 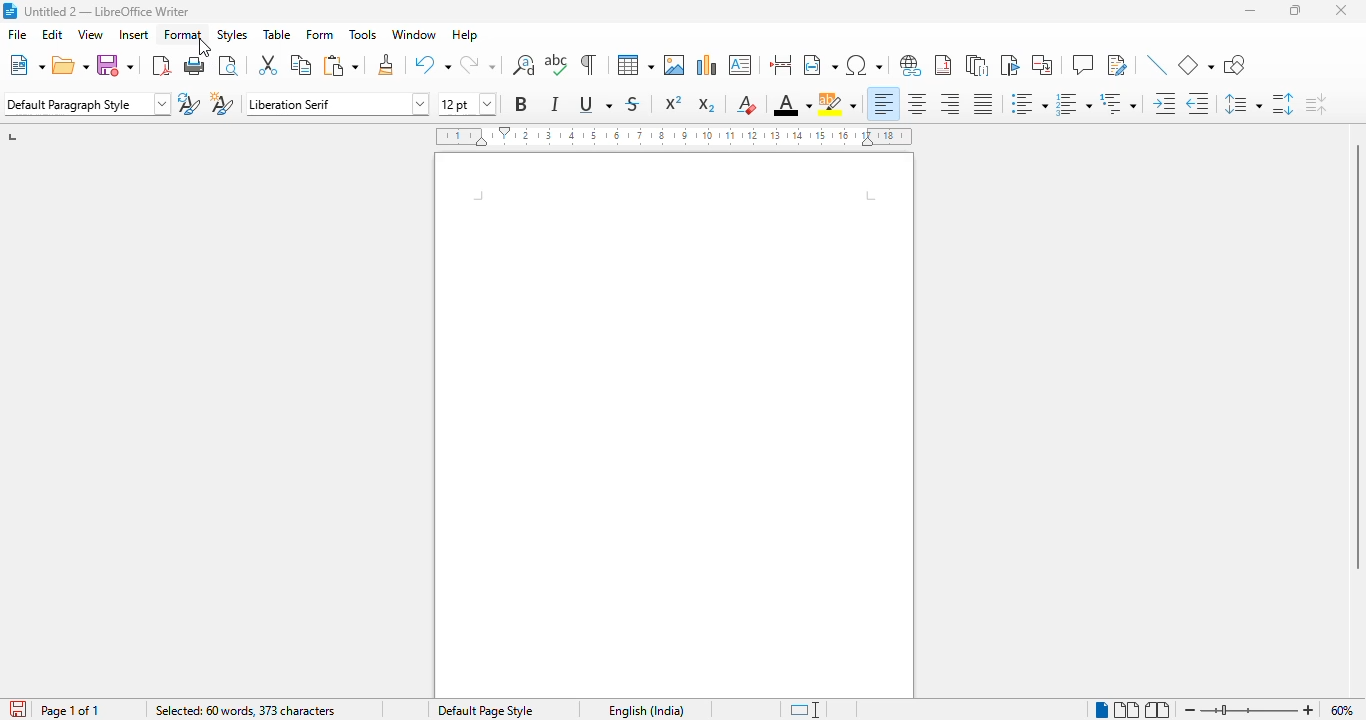 What do you see at coordinates (1316, 105) in the screenshot?
I see `decrease paragraph spacing` at bounding box center [1316, 105].